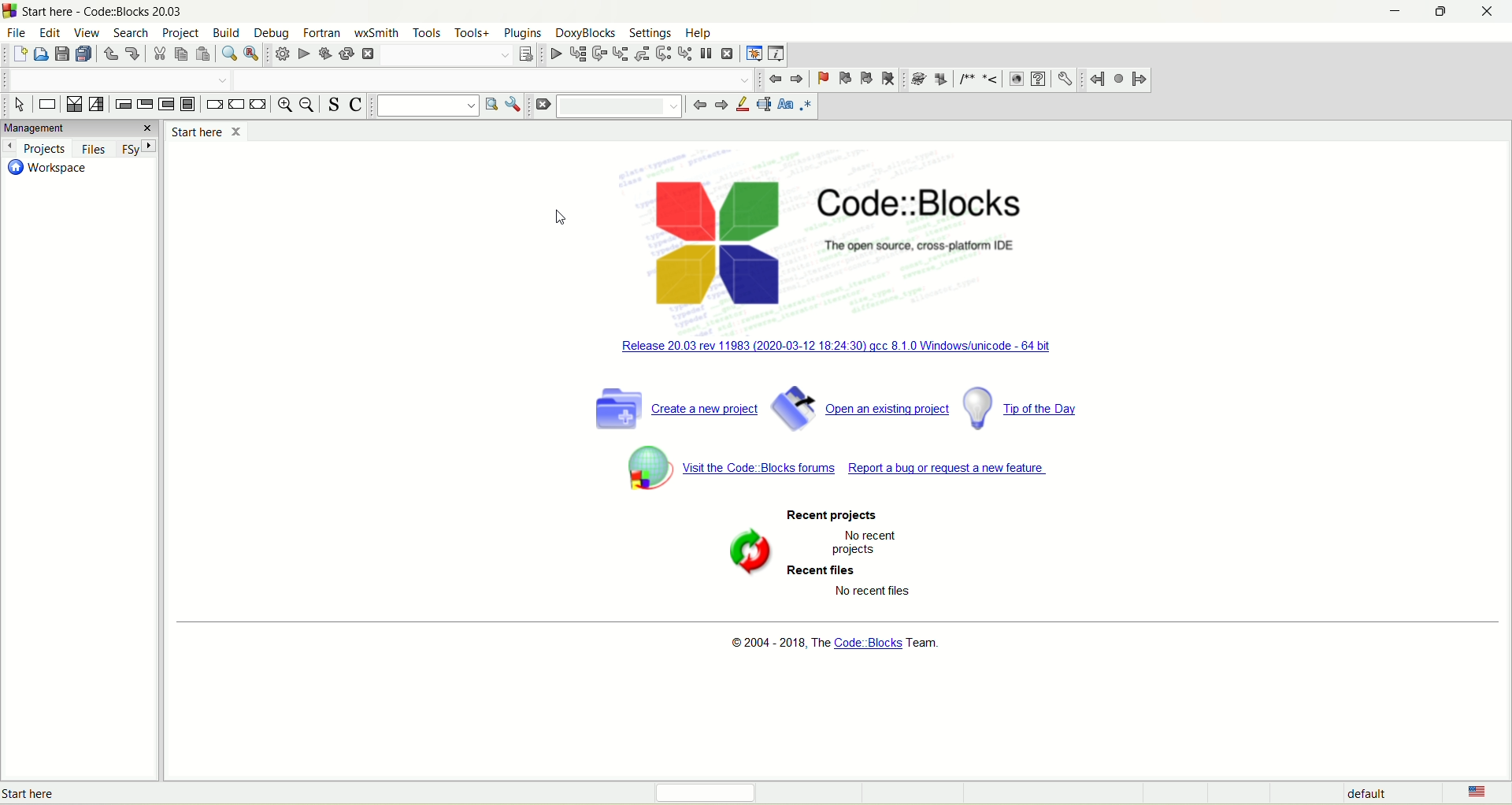 Image resolution: width=1512 pixels, height=805 pixels. I want to click on text, so click(924, 244).